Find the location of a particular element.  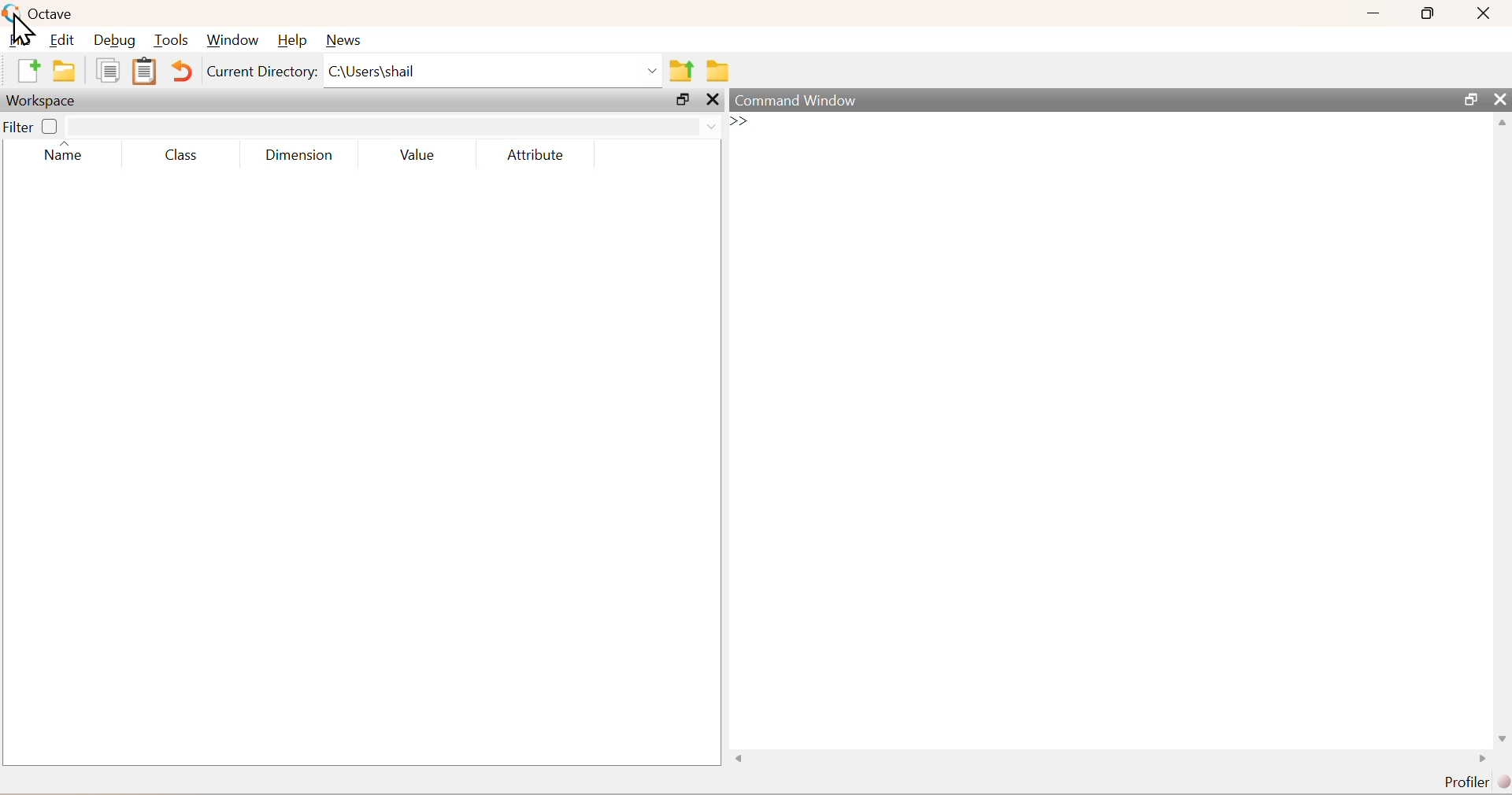

Profiler is located at coordinates (1475, 782).